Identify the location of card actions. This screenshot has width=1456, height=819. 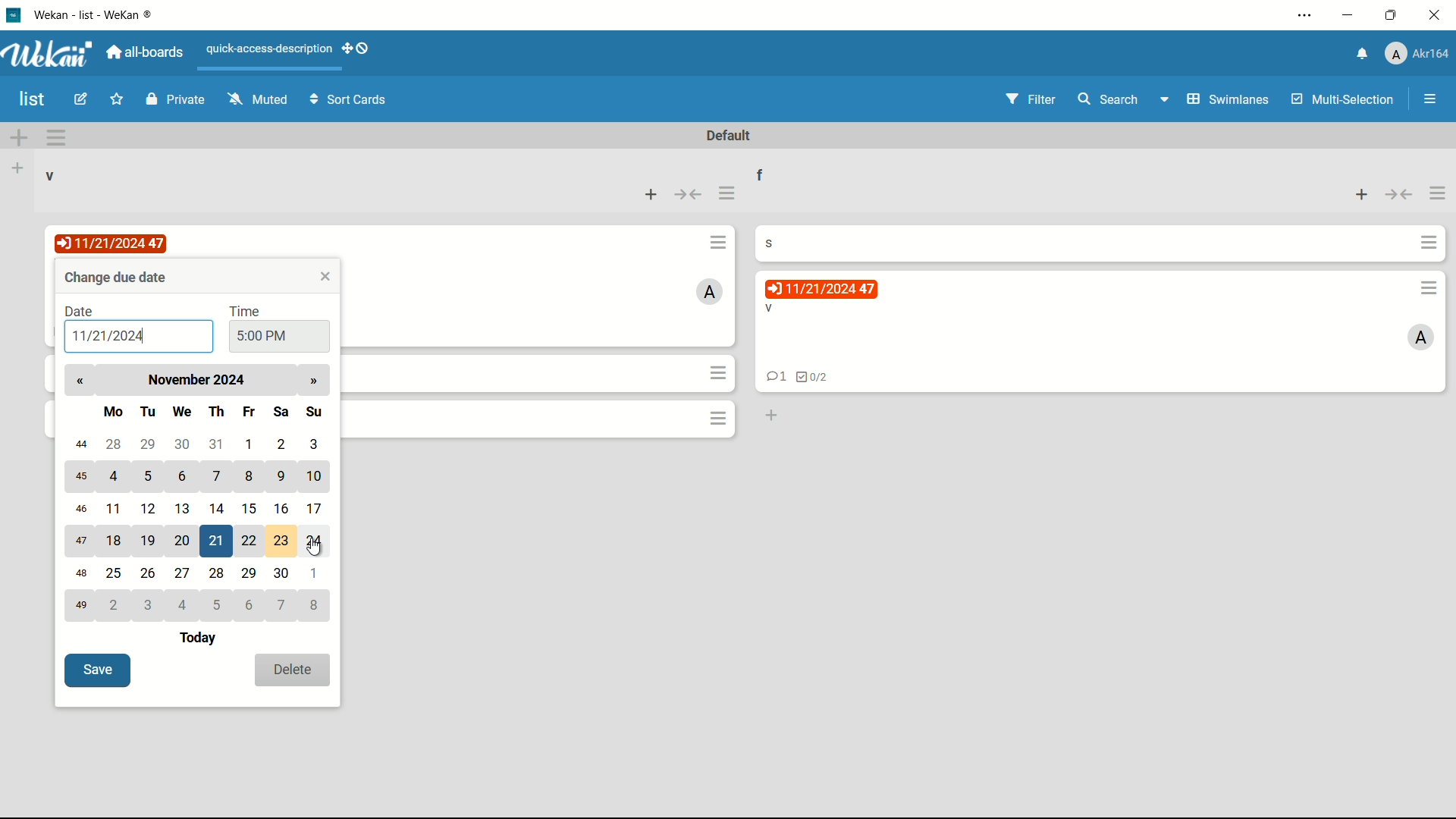
(1429, 243).